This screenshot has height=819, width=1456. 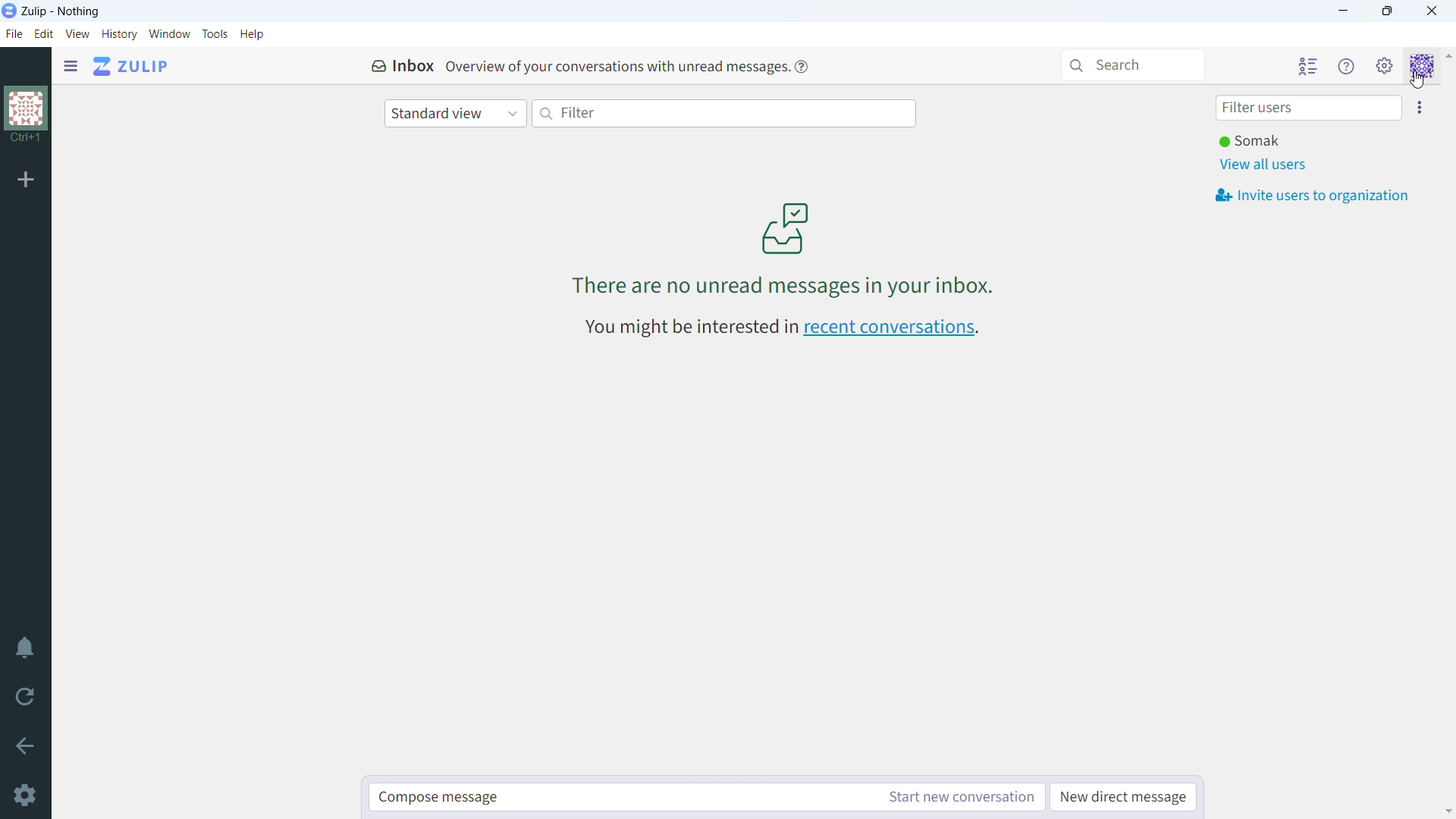 What do you see at coordinates (24, 695) in the screenshot?
I see `reload` at bounding box center [24, 695].